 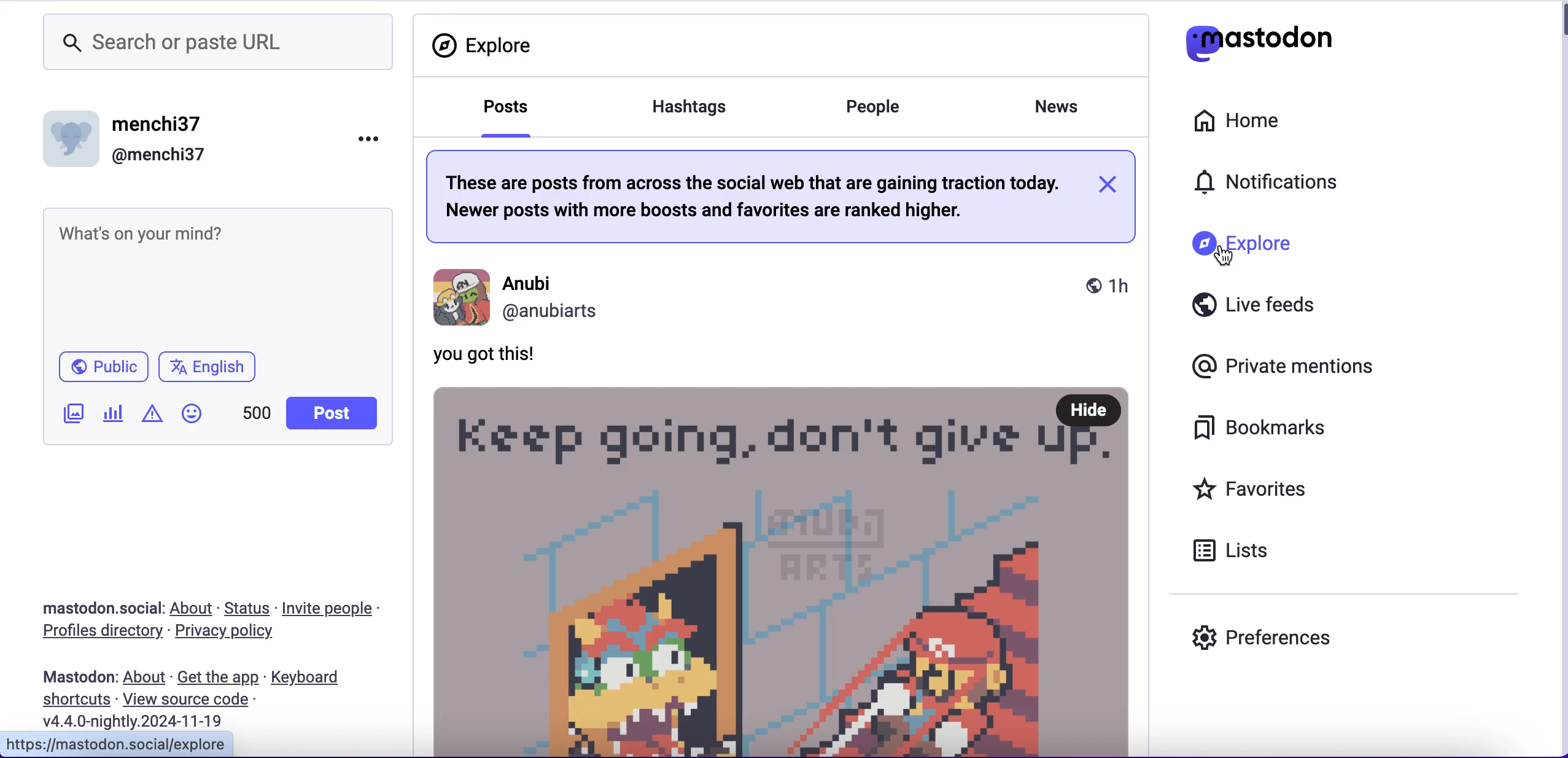 I want to click on post, so click(x=332, y=413).